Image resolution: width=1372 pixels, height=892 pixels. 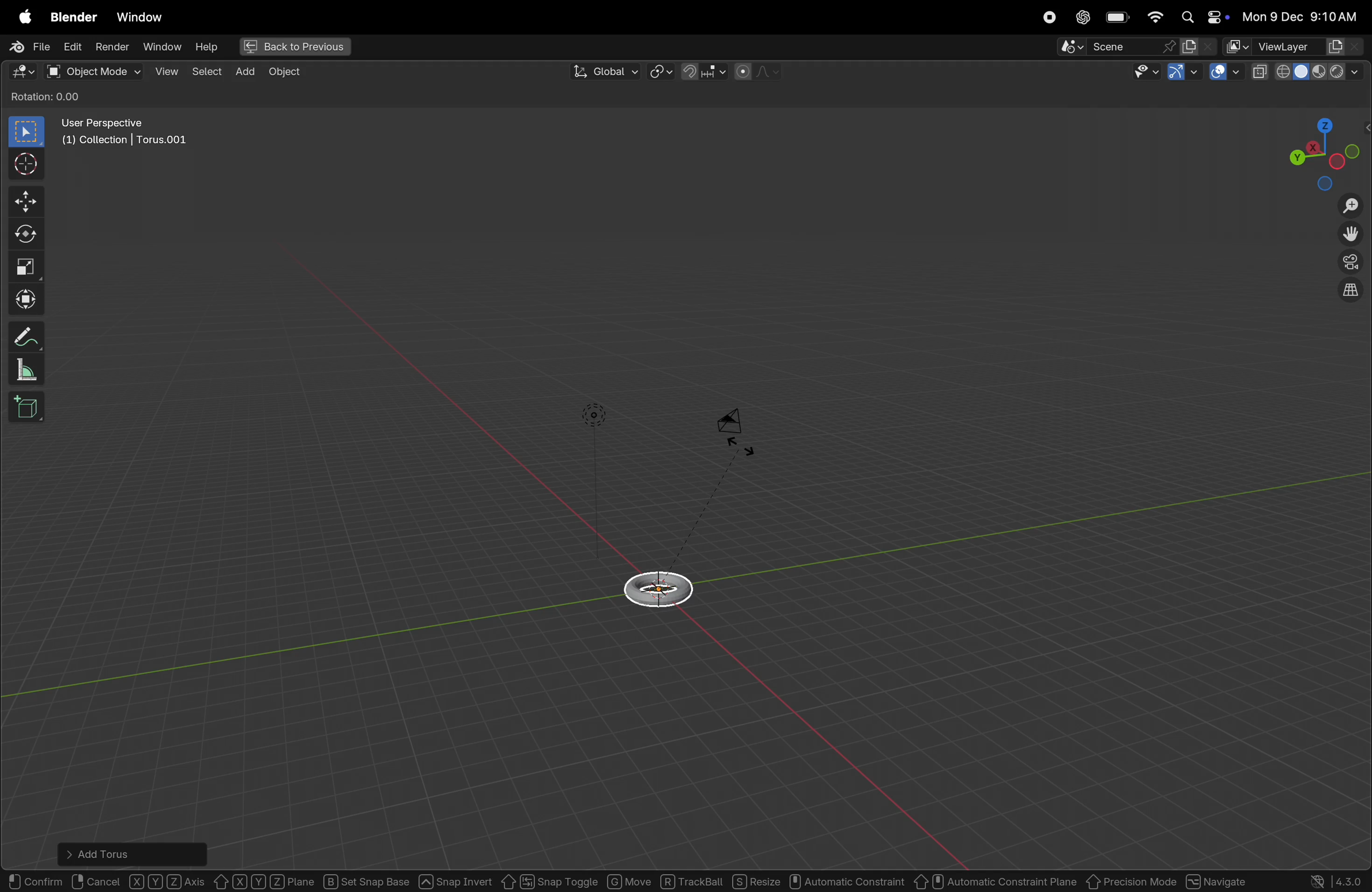 I want to click on snap, so click(x=702, y=71).